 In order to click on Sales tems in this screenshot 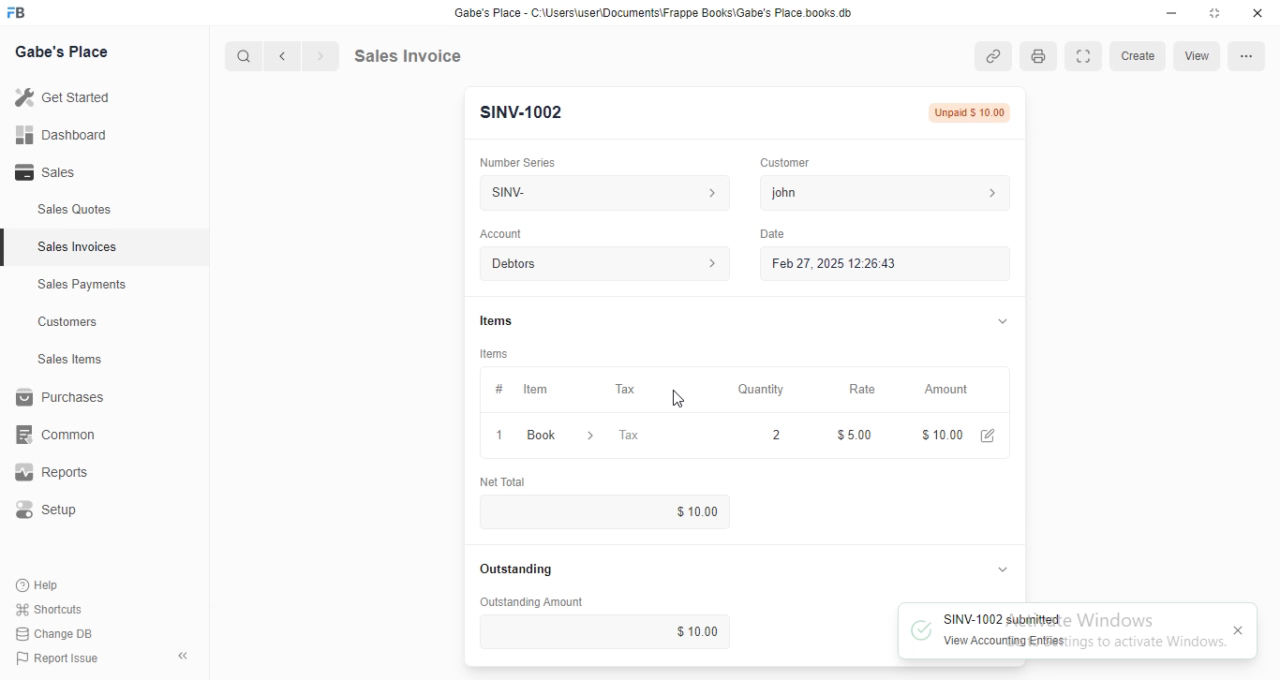, I will do `click(71, 359)`.